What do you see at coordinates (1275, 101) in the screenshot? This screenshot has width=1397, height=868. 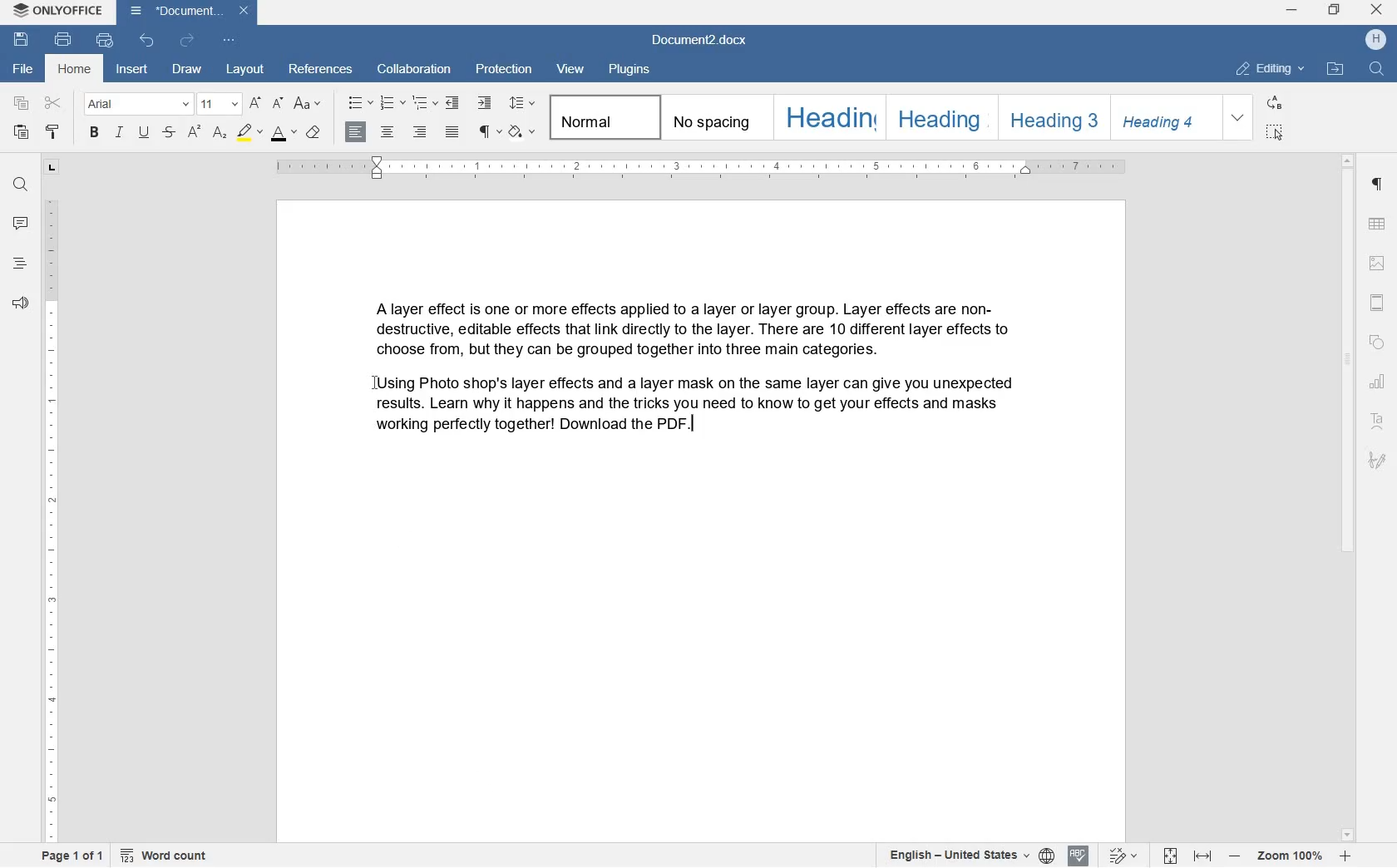 I see `REPLACE` at bounding box center [1275, 101].